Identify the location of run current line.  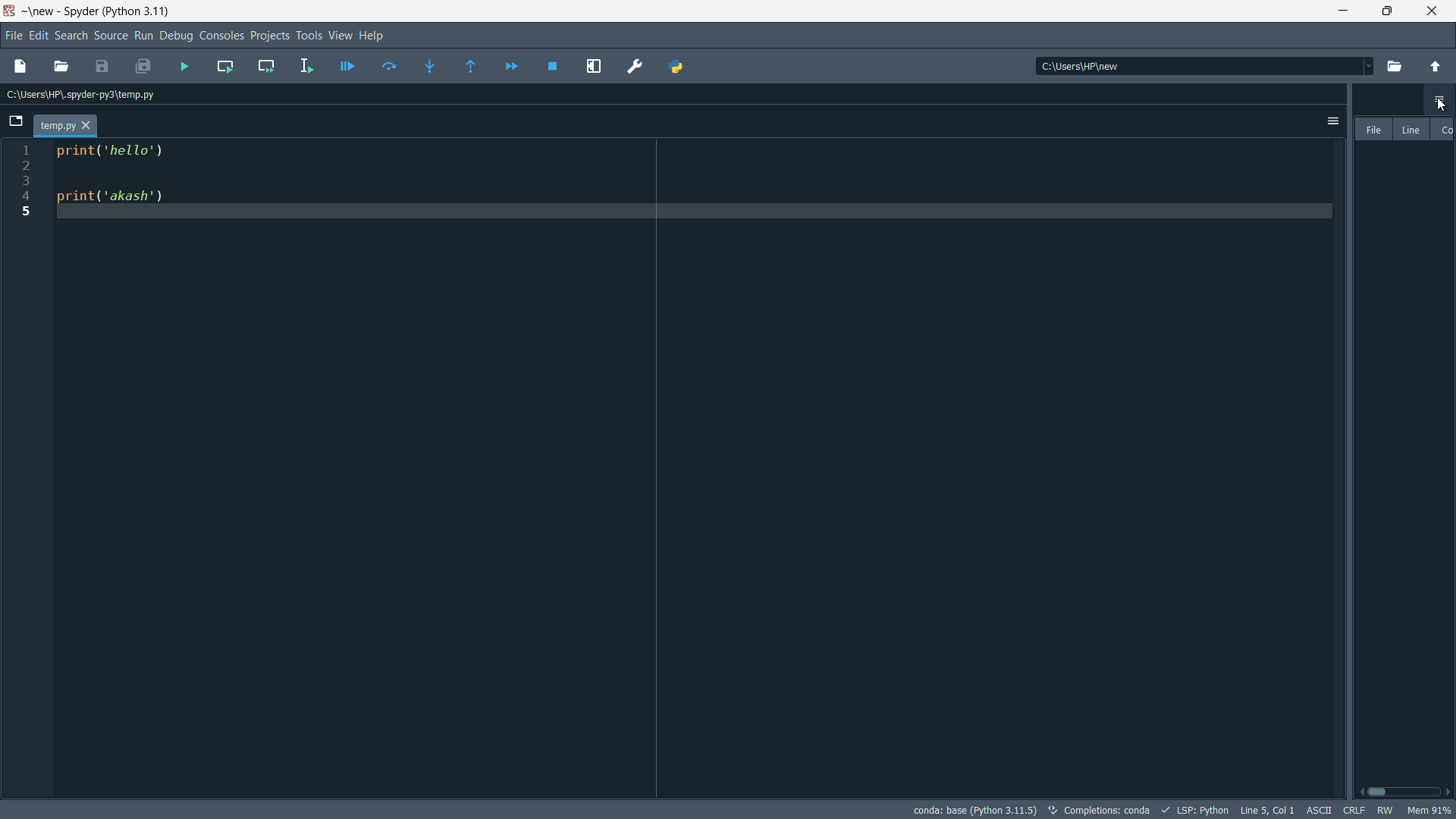
(388, 67).